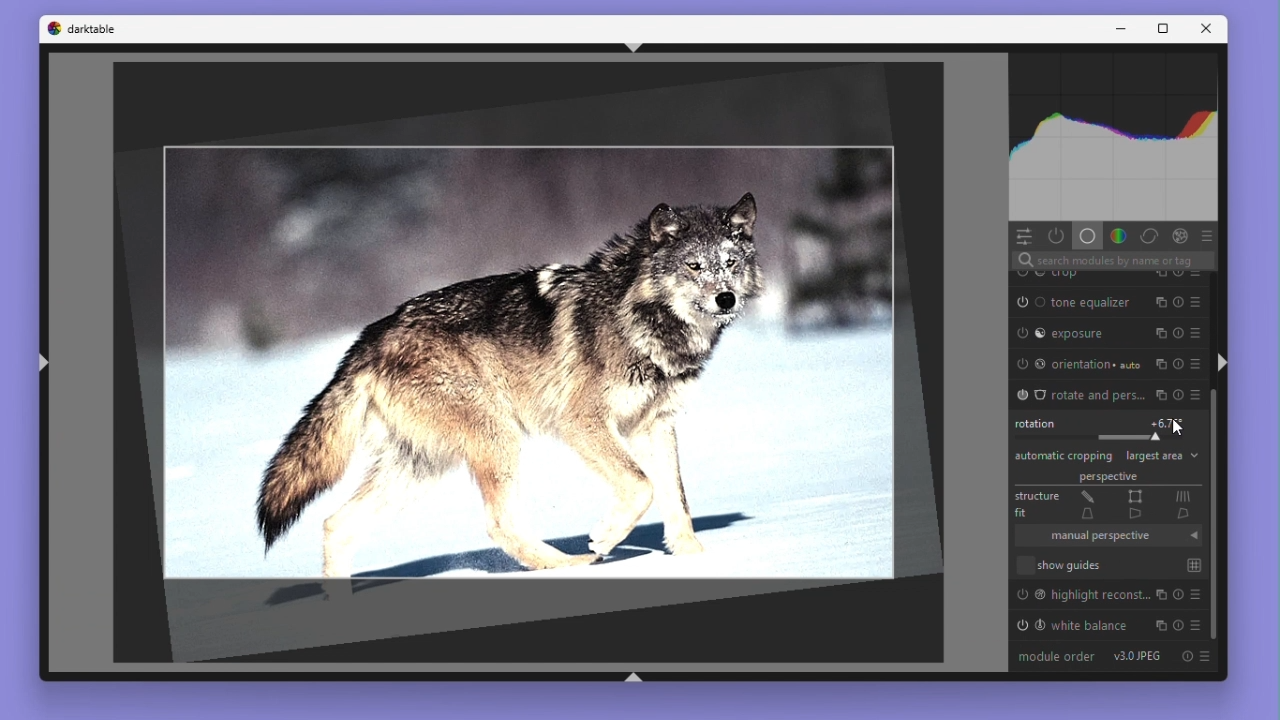  Describe the element at coordinates (1165, 31) in the screenshot. I see `Maximize` at that location.